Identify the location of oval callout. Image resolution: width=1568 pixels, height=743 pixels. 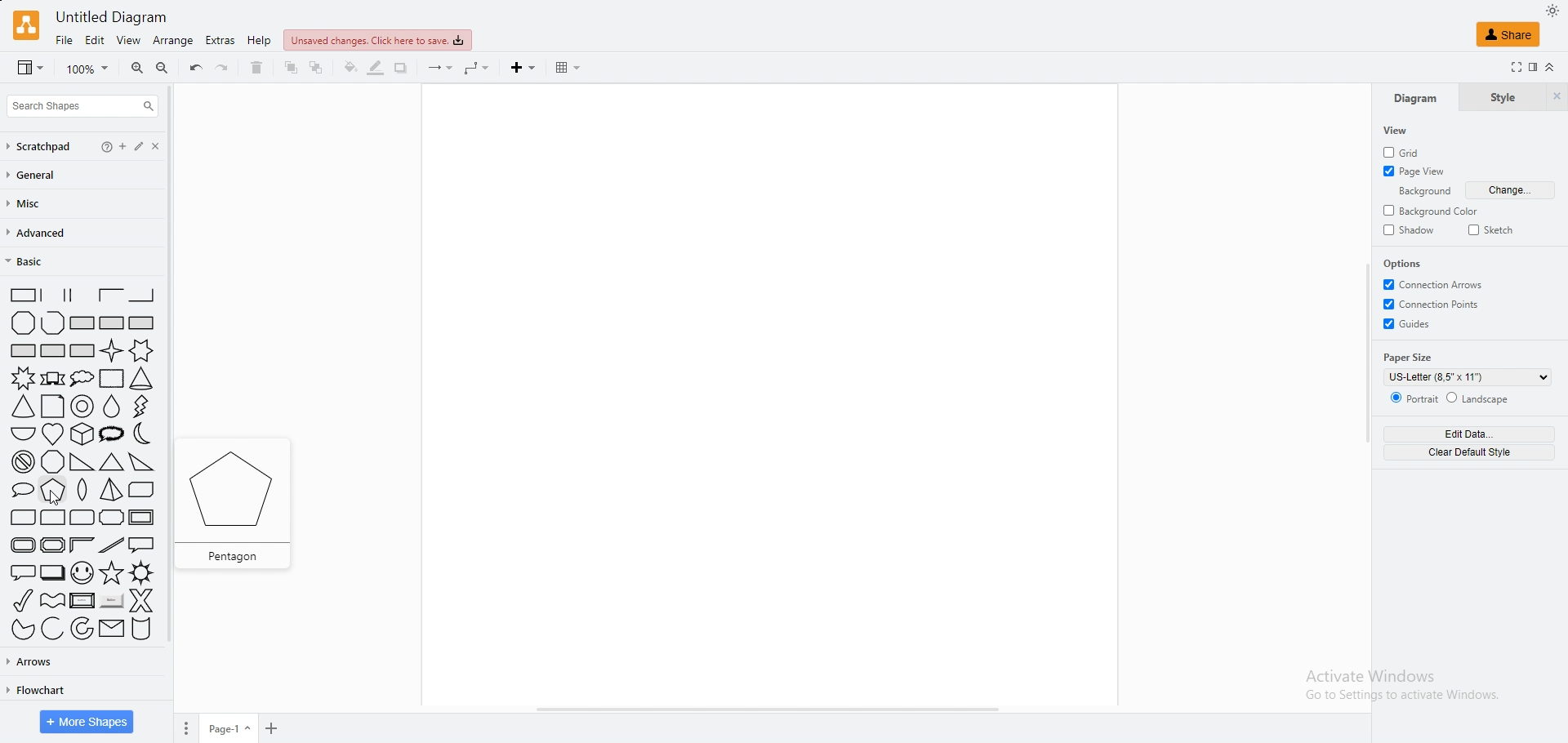
(19, 491).